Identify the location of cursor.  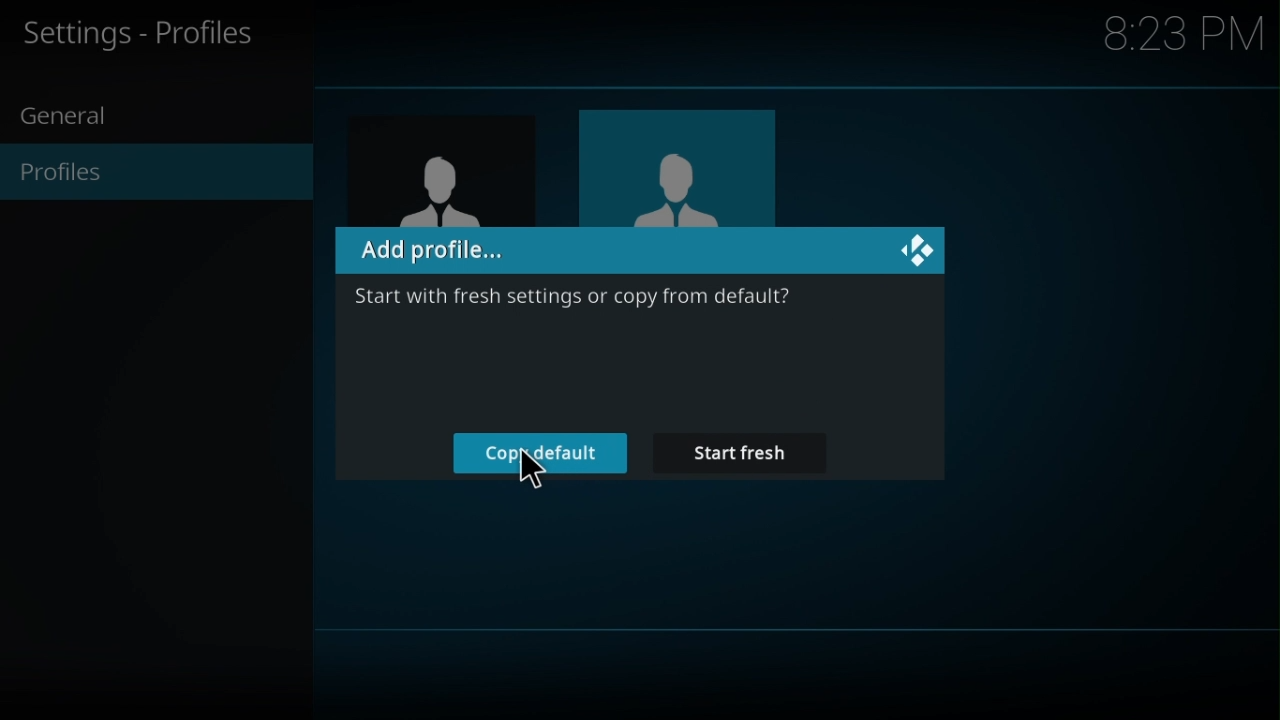
(542, 476).